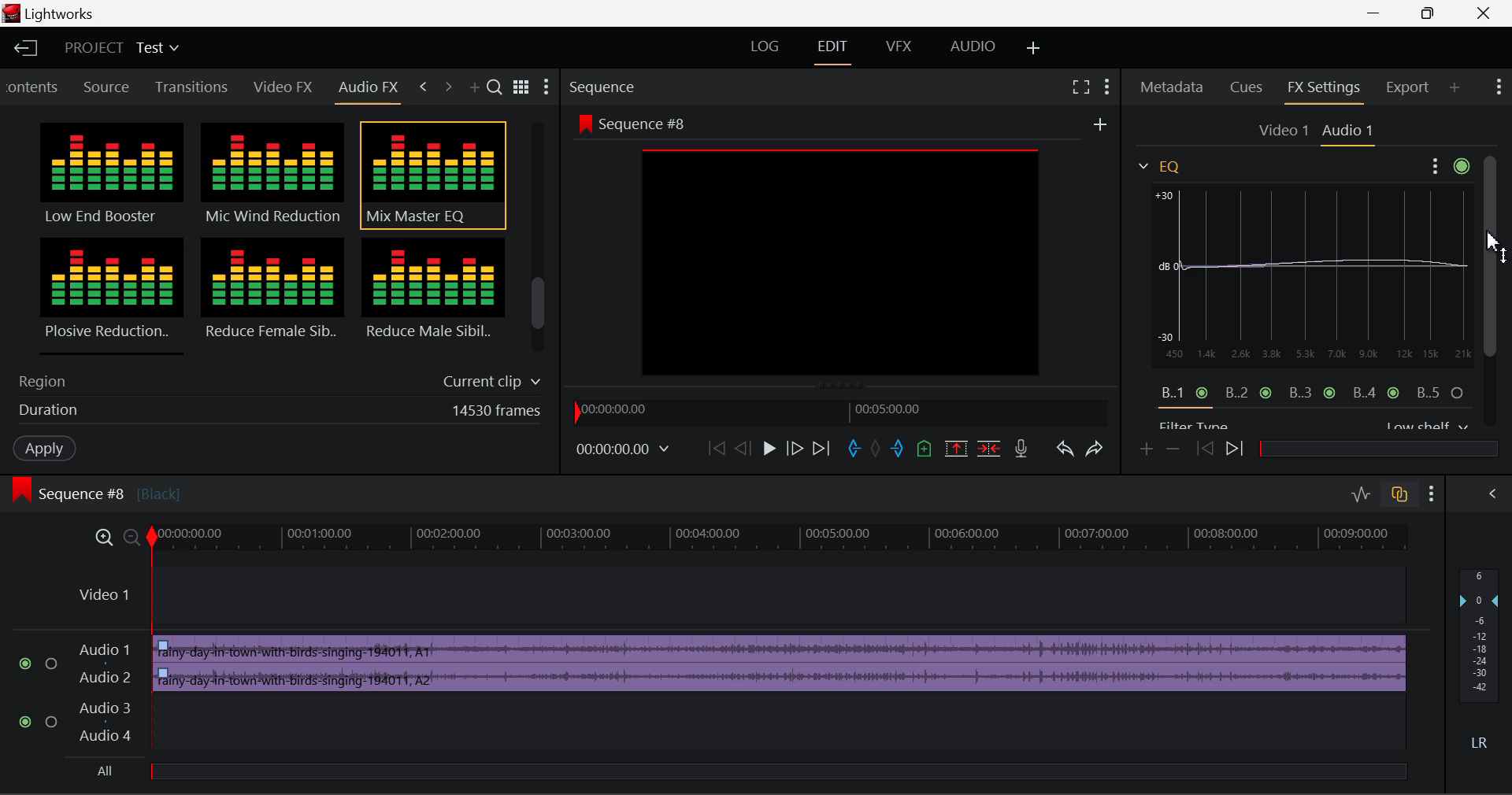  I want to click on Close, so click(1476, 13).